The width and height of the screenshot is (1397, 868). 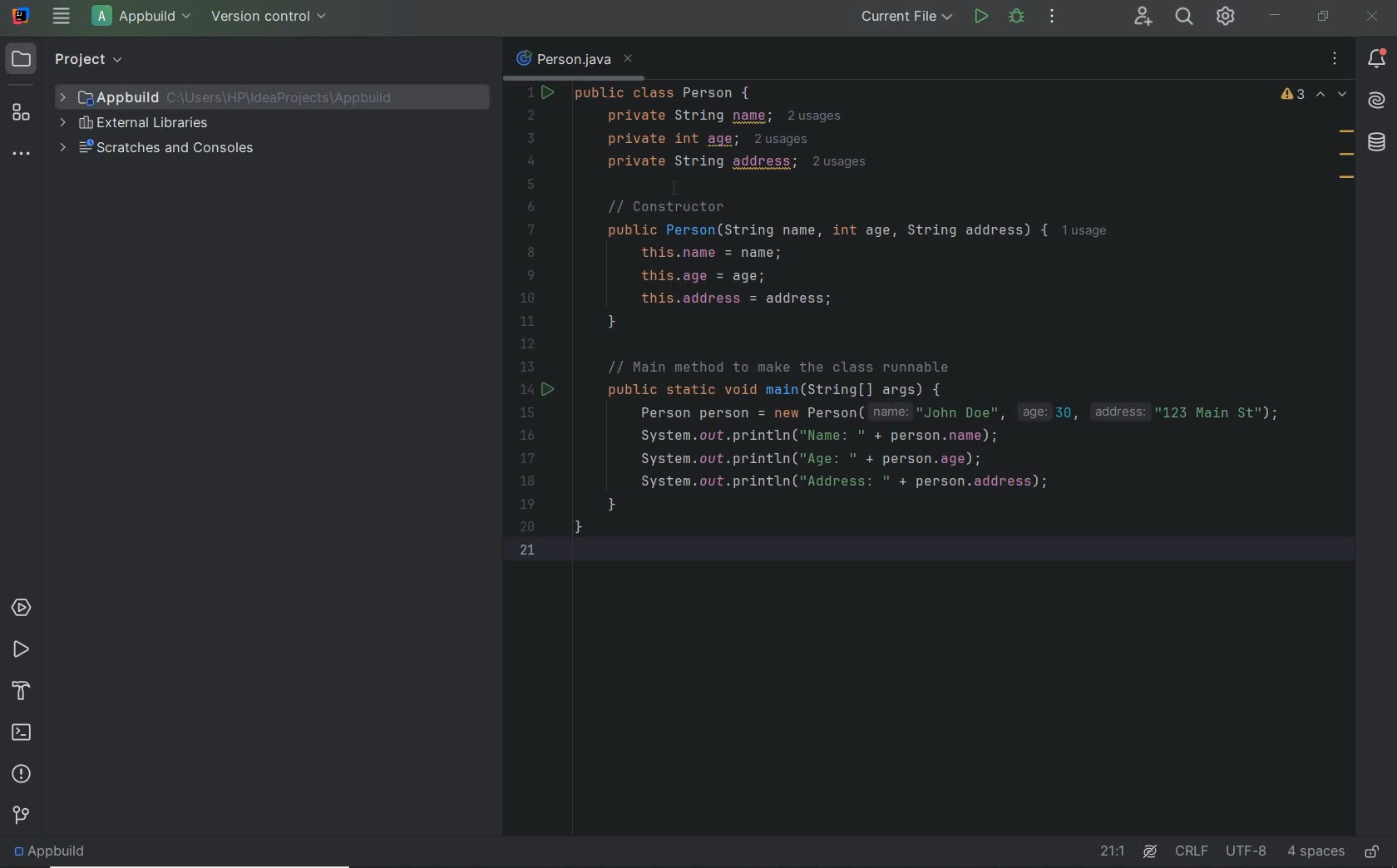 I want to click on AI Assistant, so click(x=1377, y=102).